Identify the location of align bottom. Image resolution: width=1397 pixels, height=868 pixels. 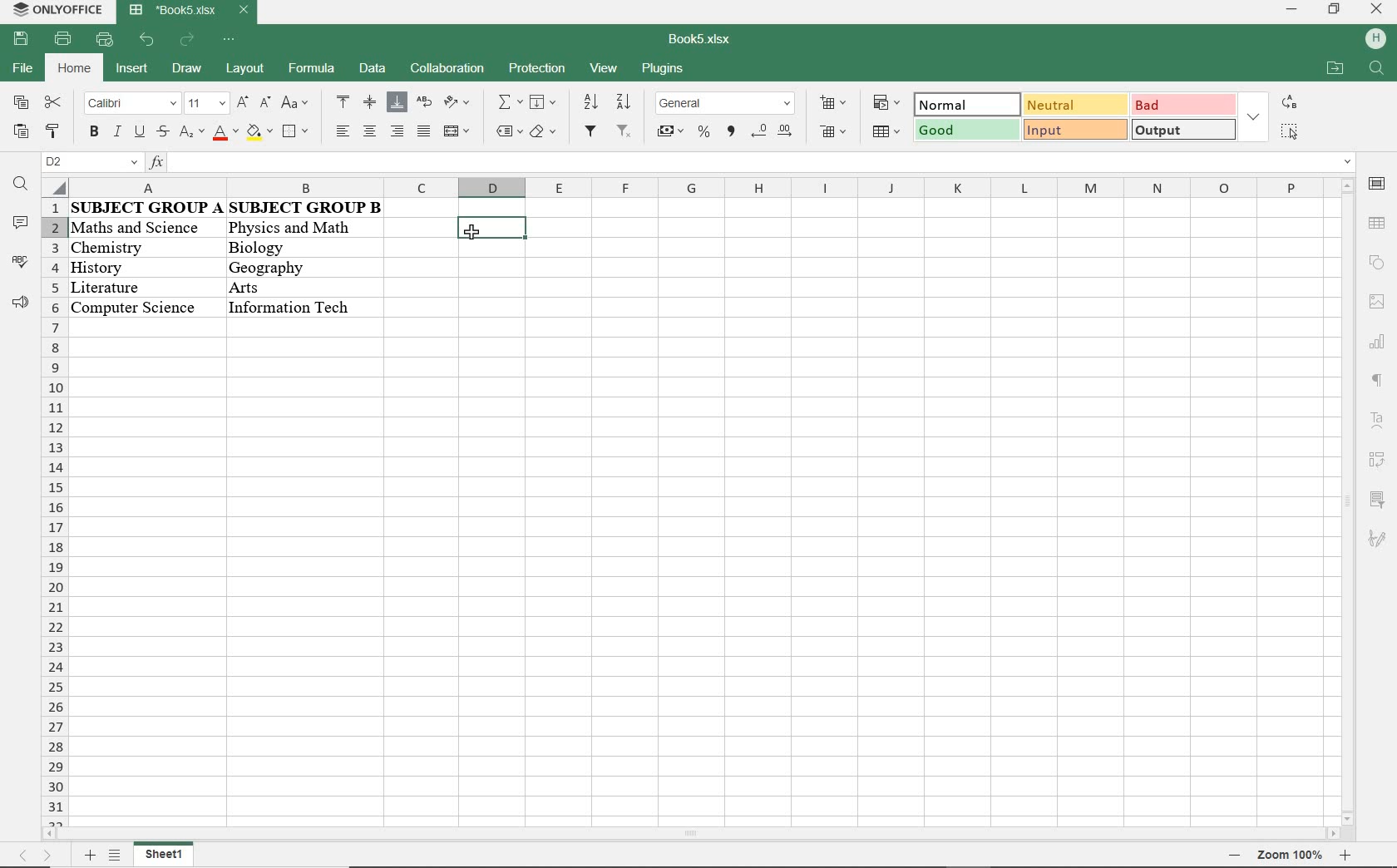
(397, 104).